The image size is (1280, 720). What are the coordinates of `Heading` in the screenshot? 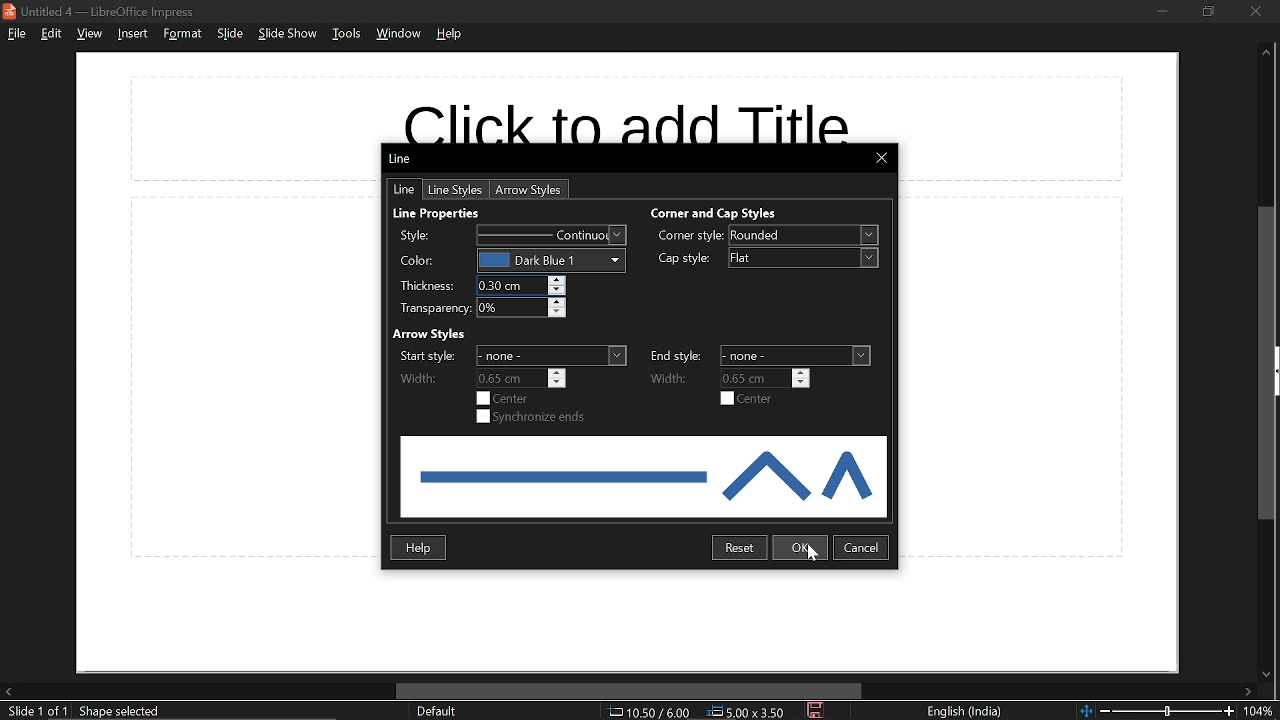 It's located at (430, 335).